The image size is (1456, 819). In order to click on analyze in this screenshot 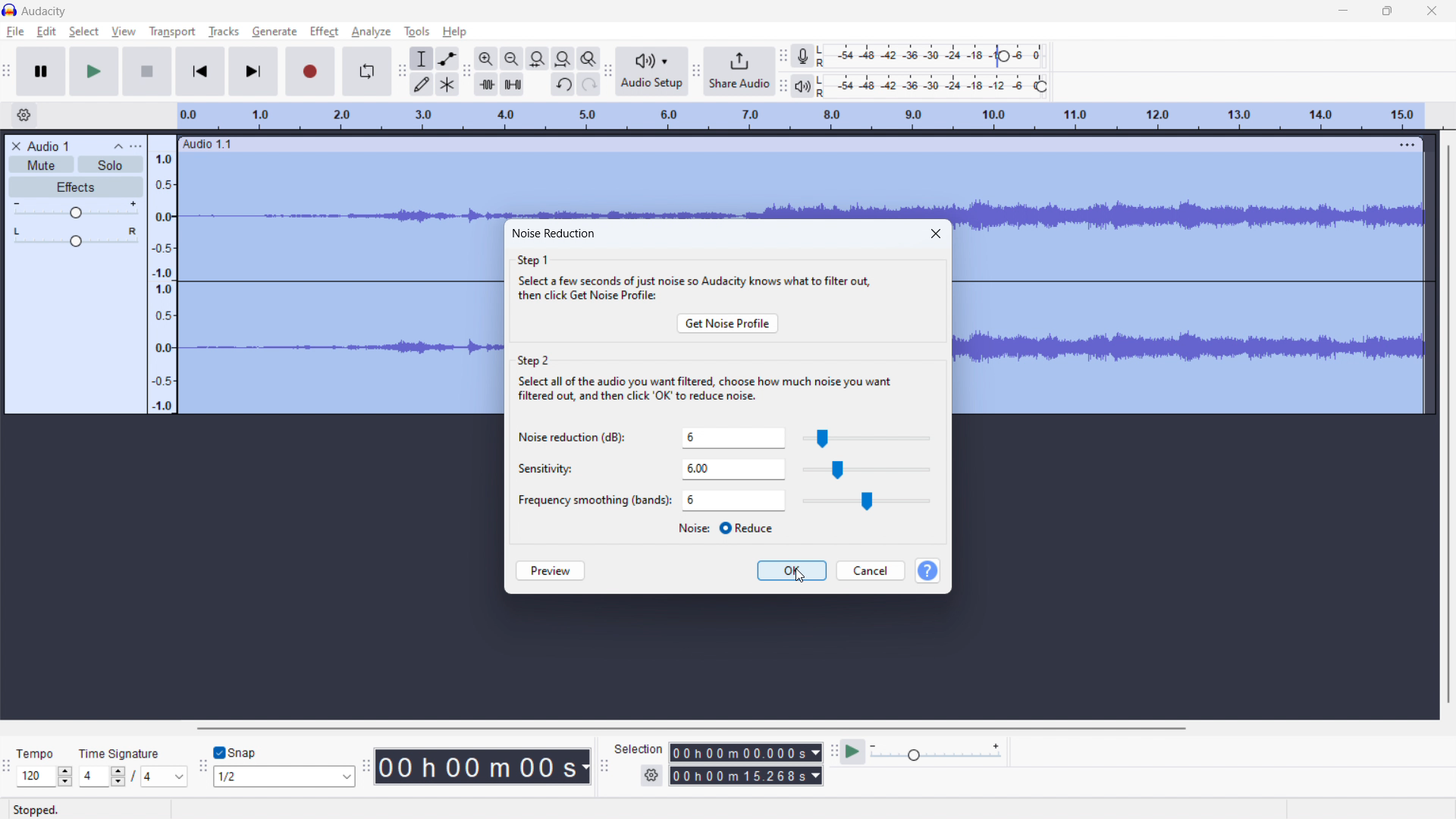, I will do `click(372, 32)`.